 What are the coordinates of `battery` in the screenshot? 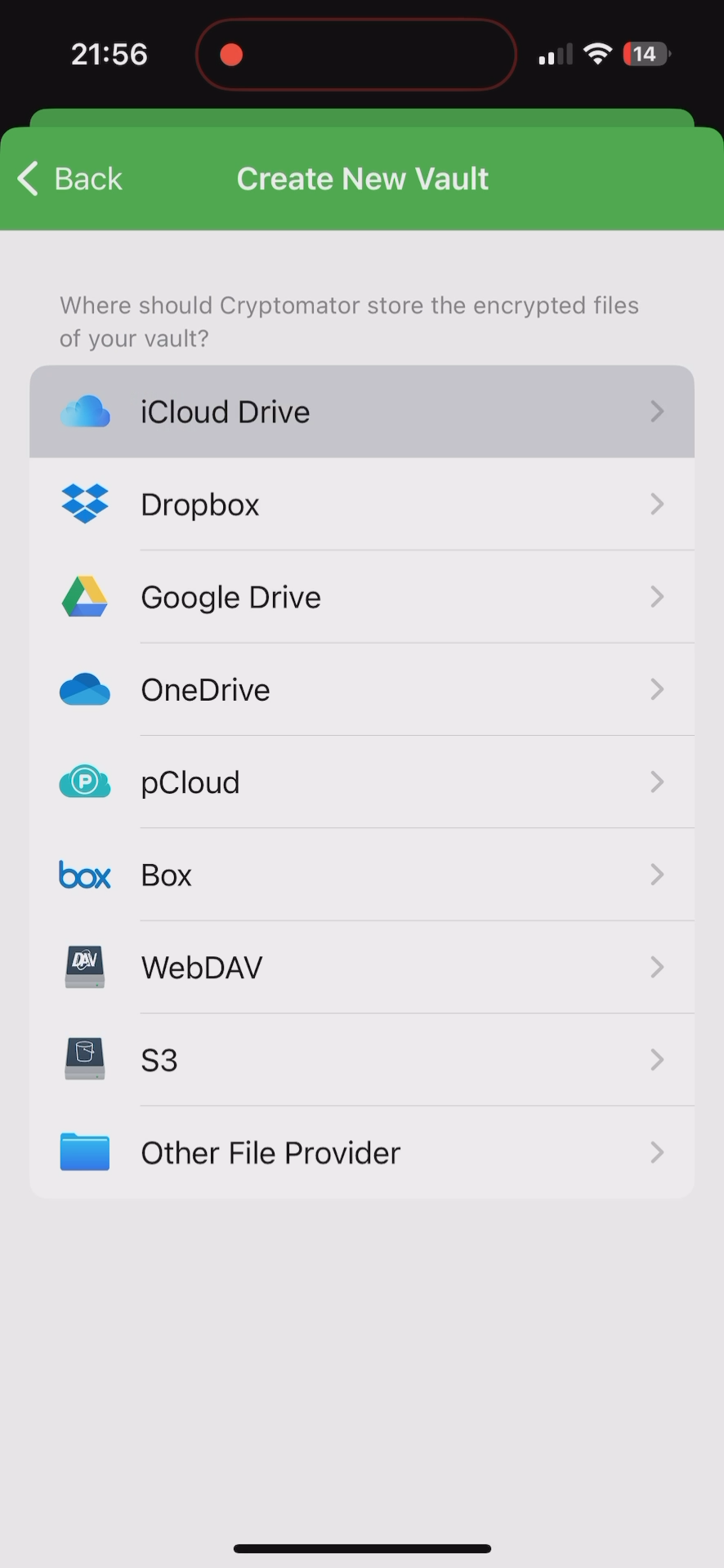 It's located at (646, 56).